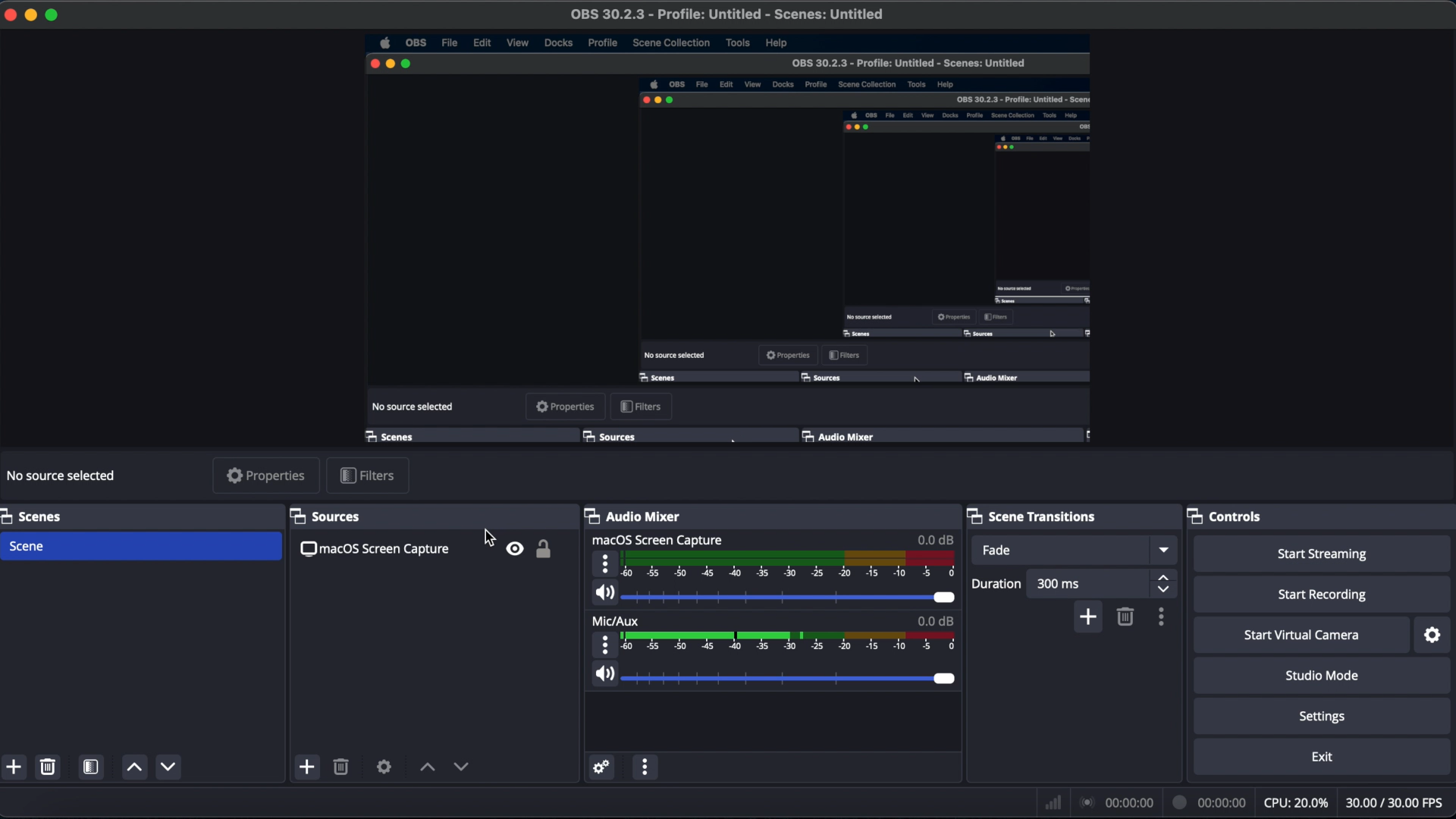  Describe the element at coordinates (1303, 635) in the screenshot. I see `start virtual camera` at that location.